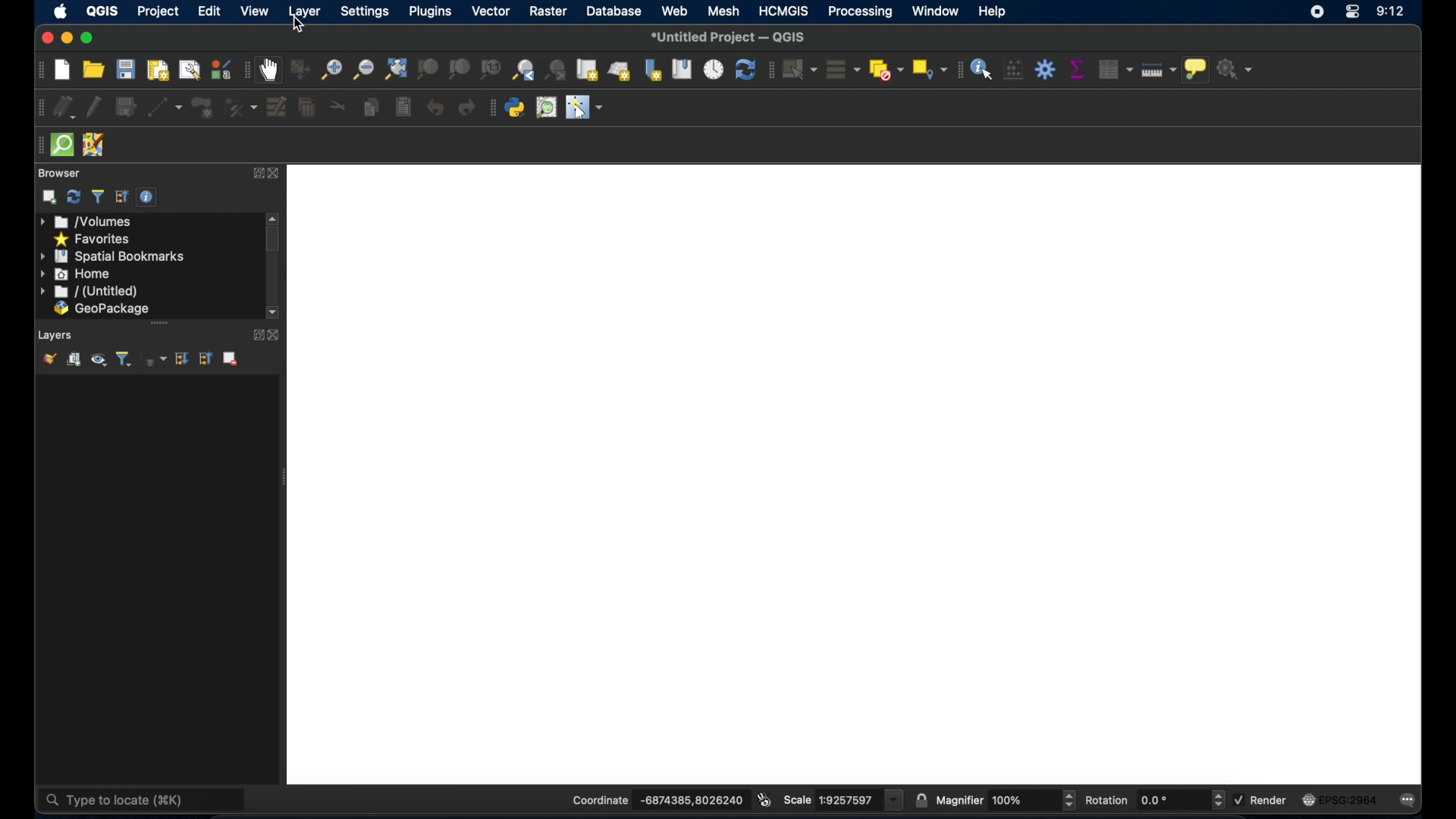  Describe the element at coordinates (1352, 14) in the screenshot. I see `control center` at that location.